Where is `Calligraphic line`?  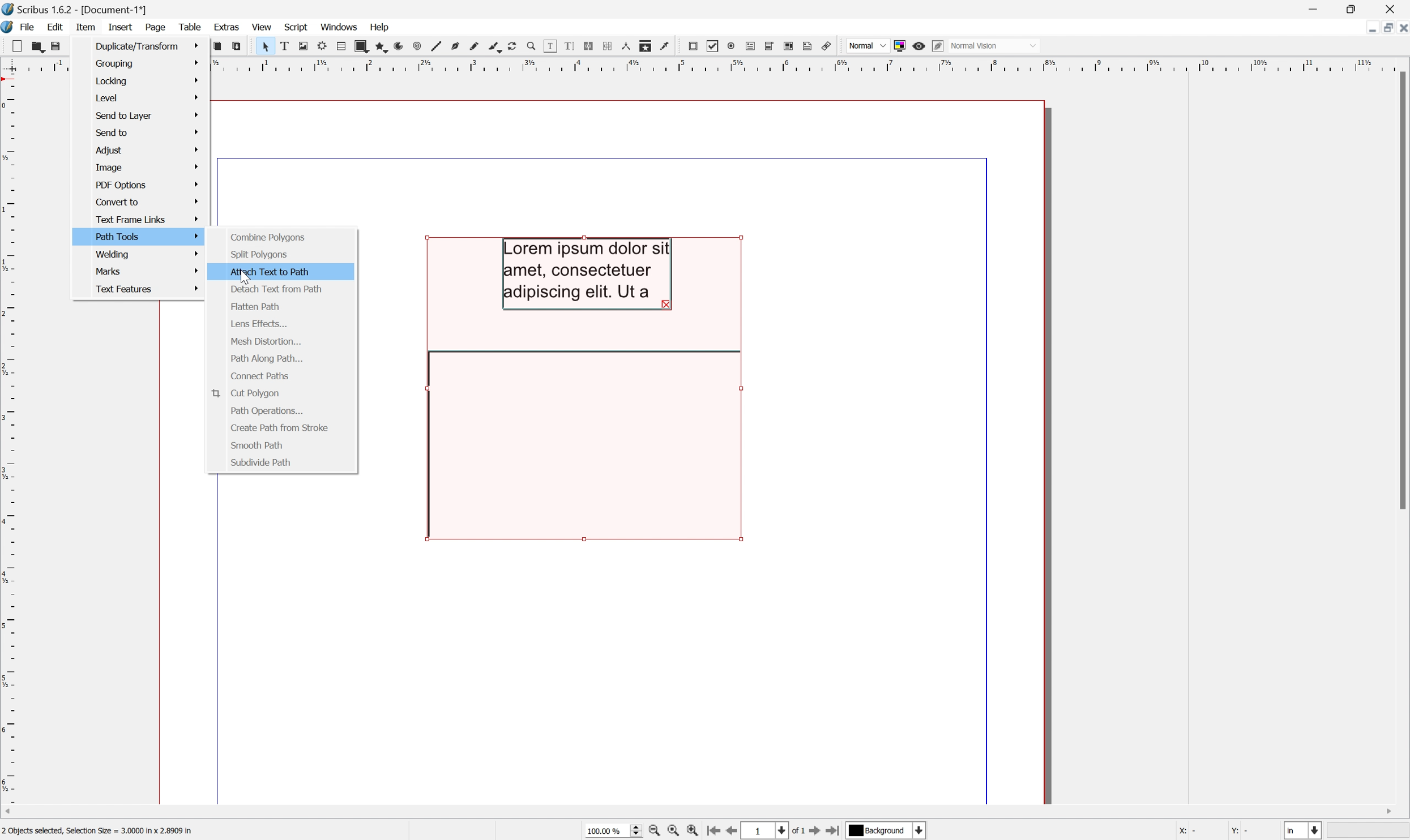
Calligraphic line is located at coordinates (494, 48).